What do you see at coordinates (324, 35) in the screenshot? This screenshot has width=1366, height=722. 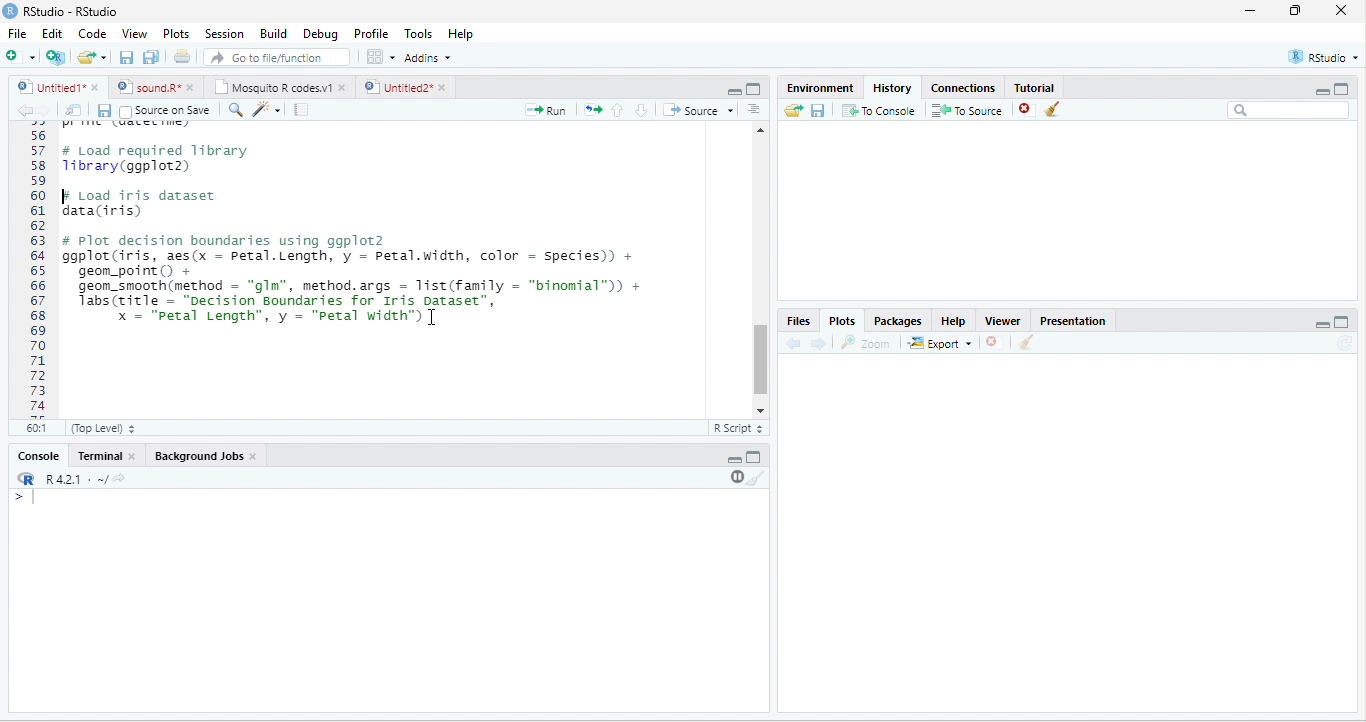 I see `Debug` at bounding box center [324, 35].